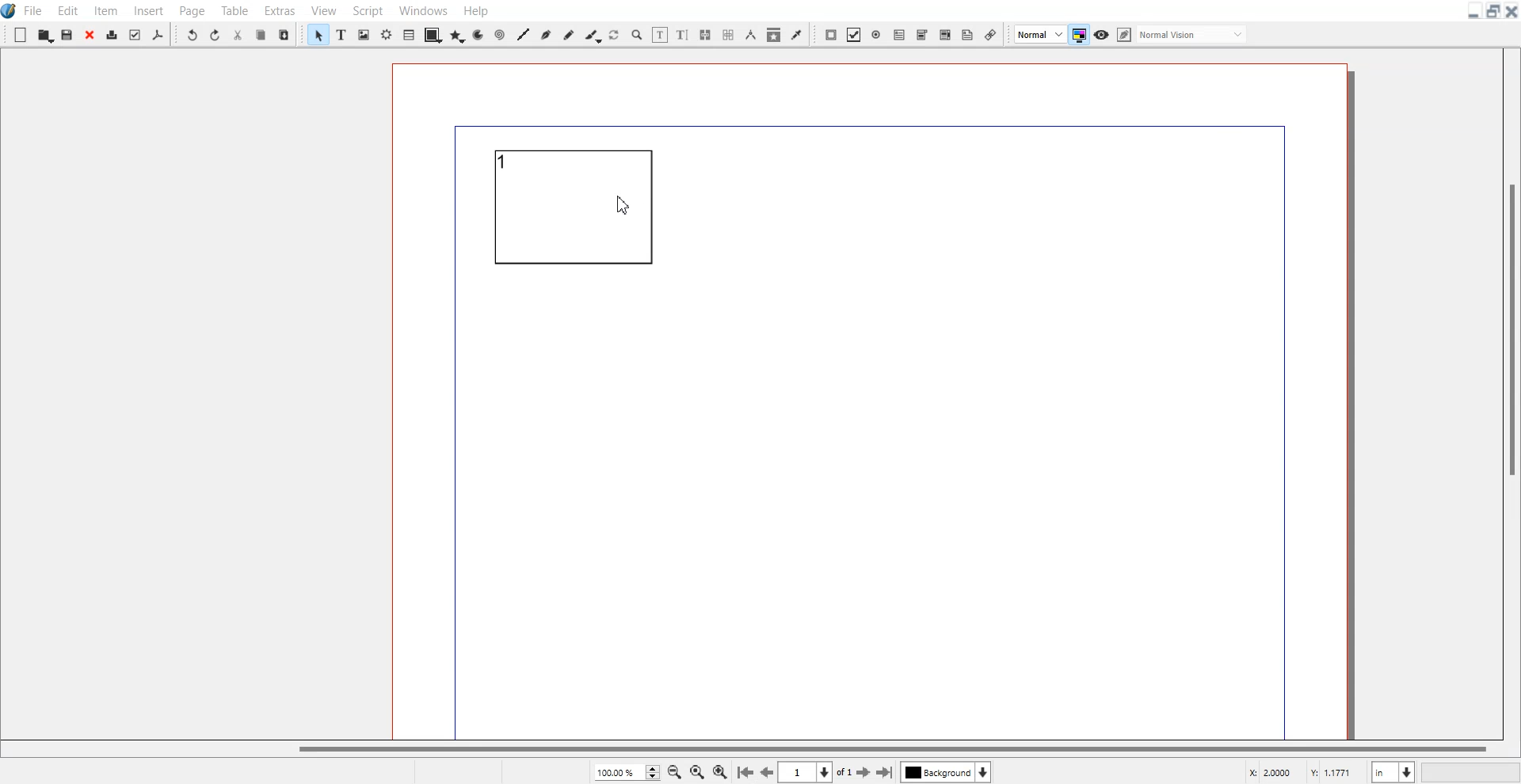 This screenshot has height=784, width=1521. I want to click on PDF List box, so click(945, 34).